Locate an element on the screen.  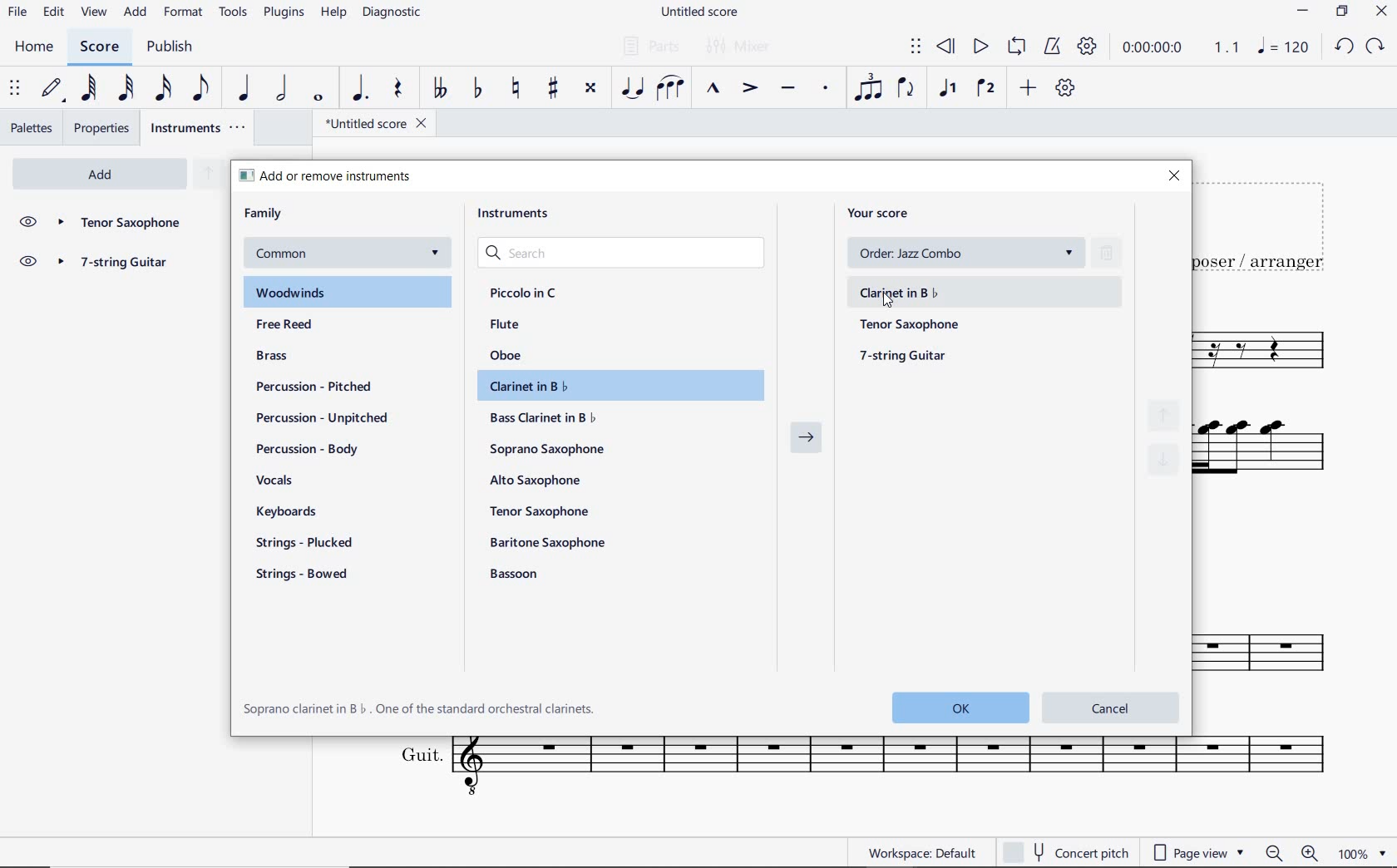
STACCATO is located at coordinates (825, 89).